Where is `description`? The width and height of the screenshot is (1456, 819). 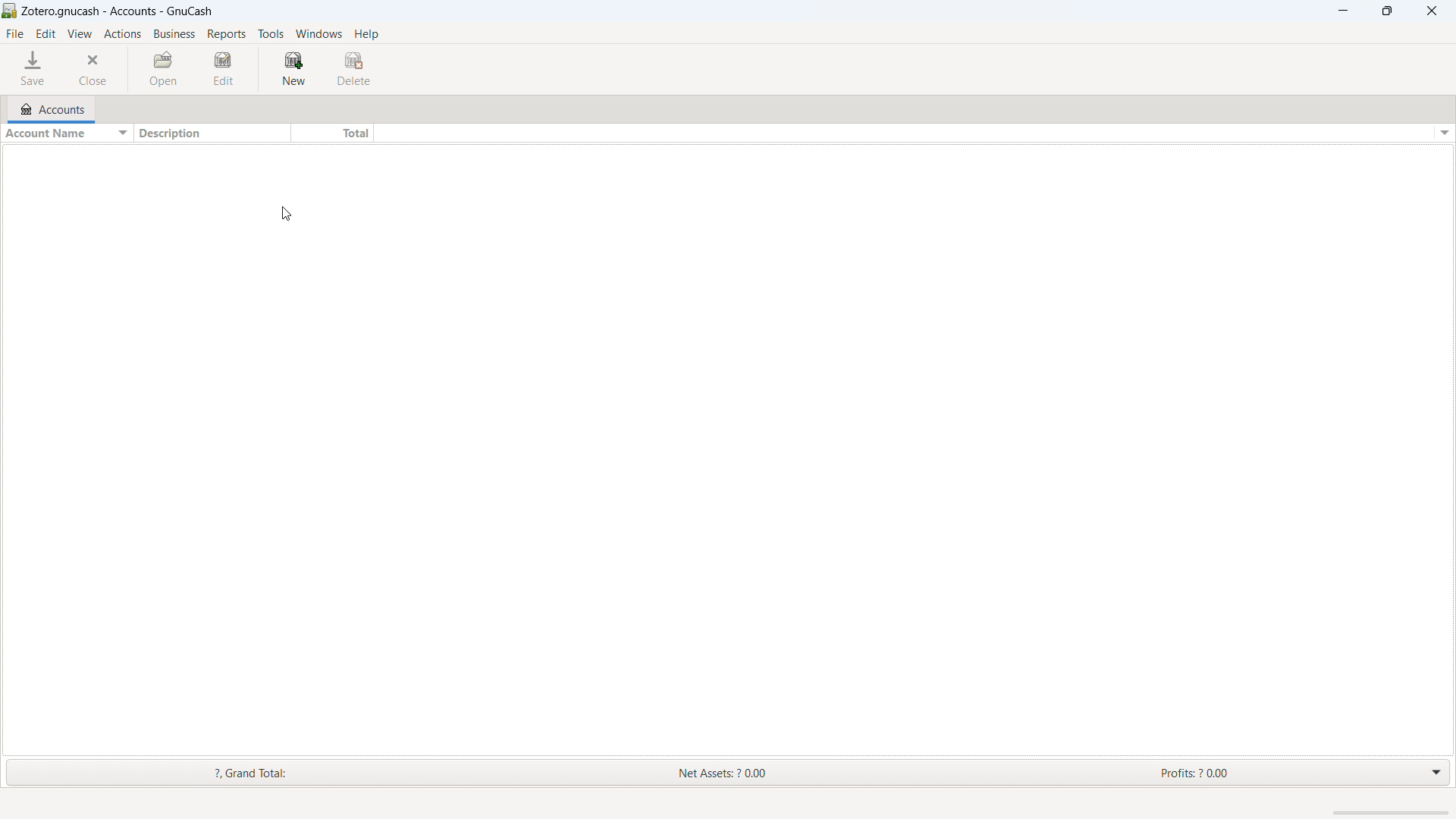
description is located at coordinates (208, 133).